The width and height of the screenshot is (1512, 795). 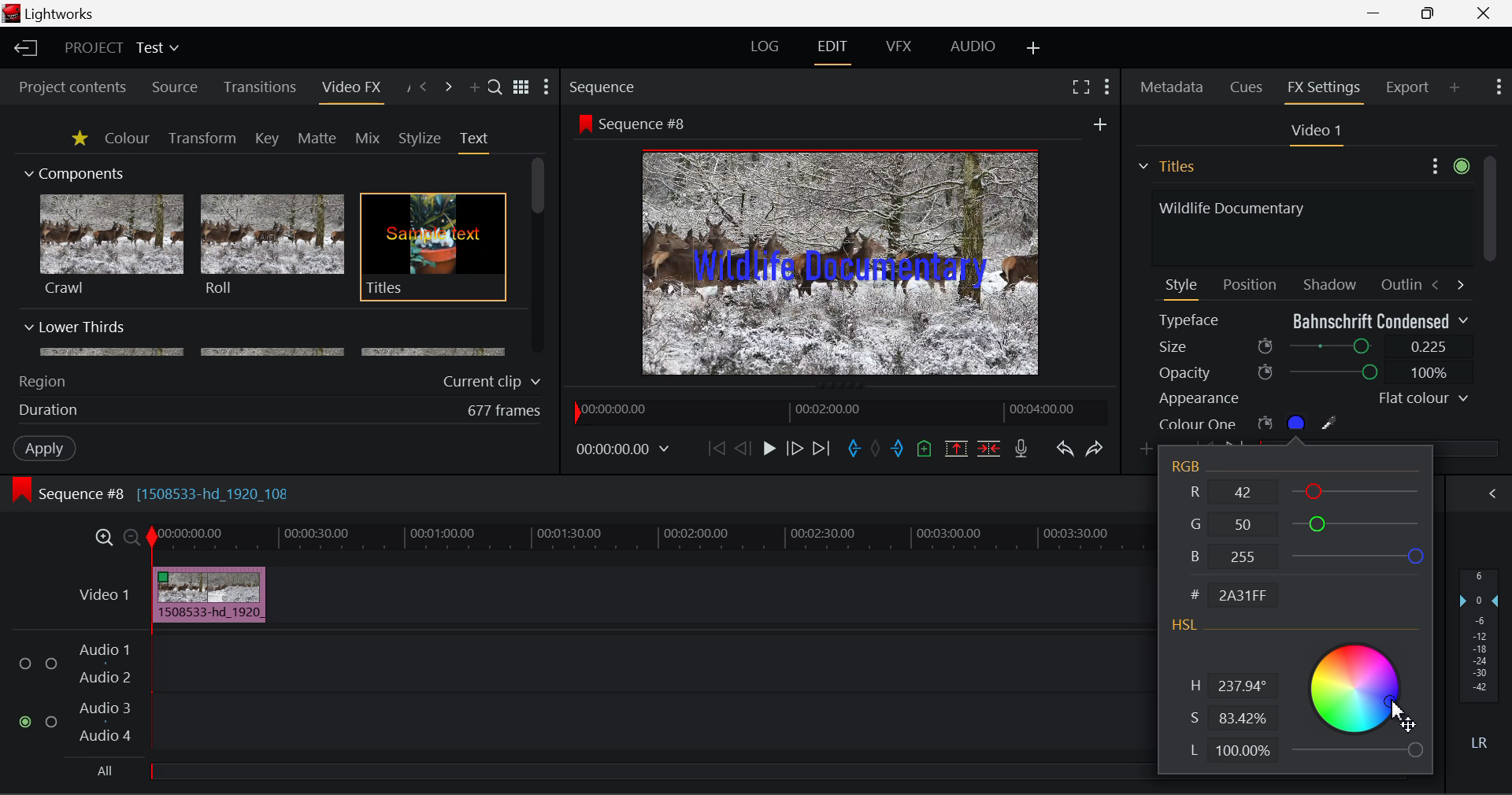 What do you see at coordinates (112, 245) in the screenshot?
I see `Crawl` at bounding box center [112, 245].